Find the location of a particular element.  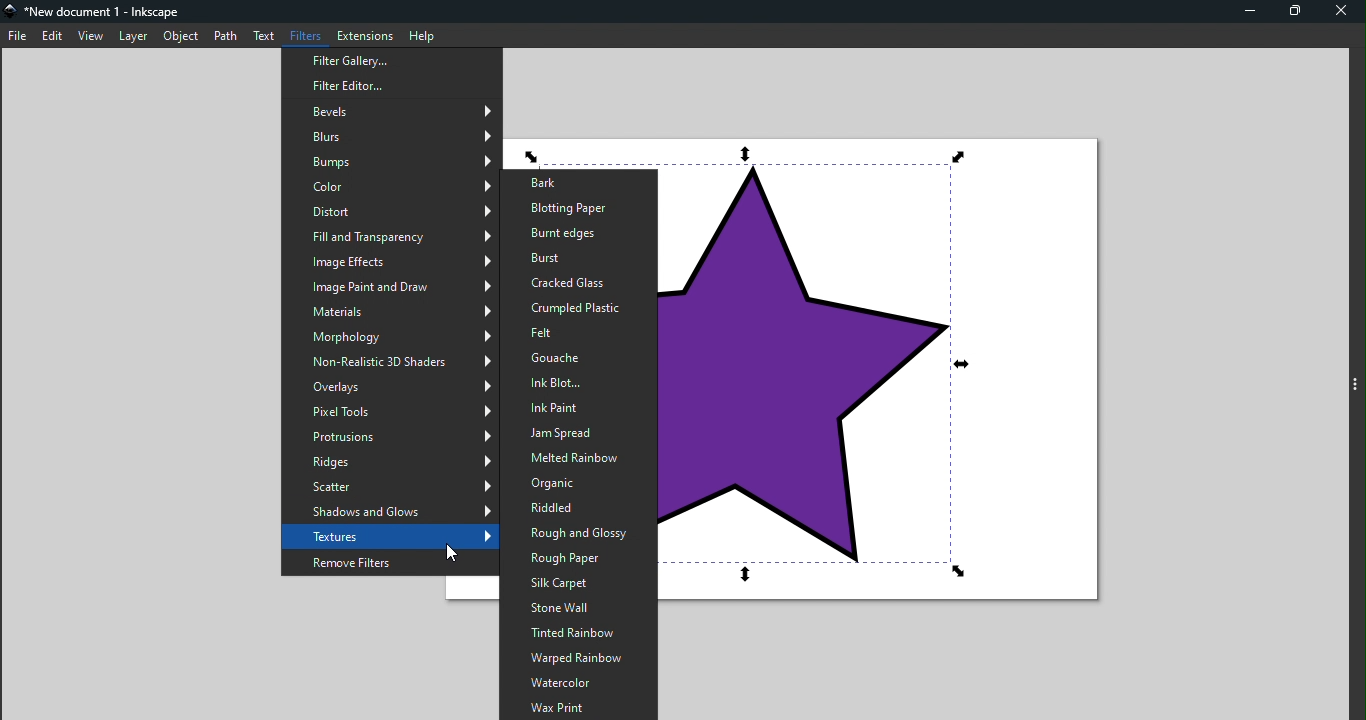

Text is located at coordinates (264, 38).